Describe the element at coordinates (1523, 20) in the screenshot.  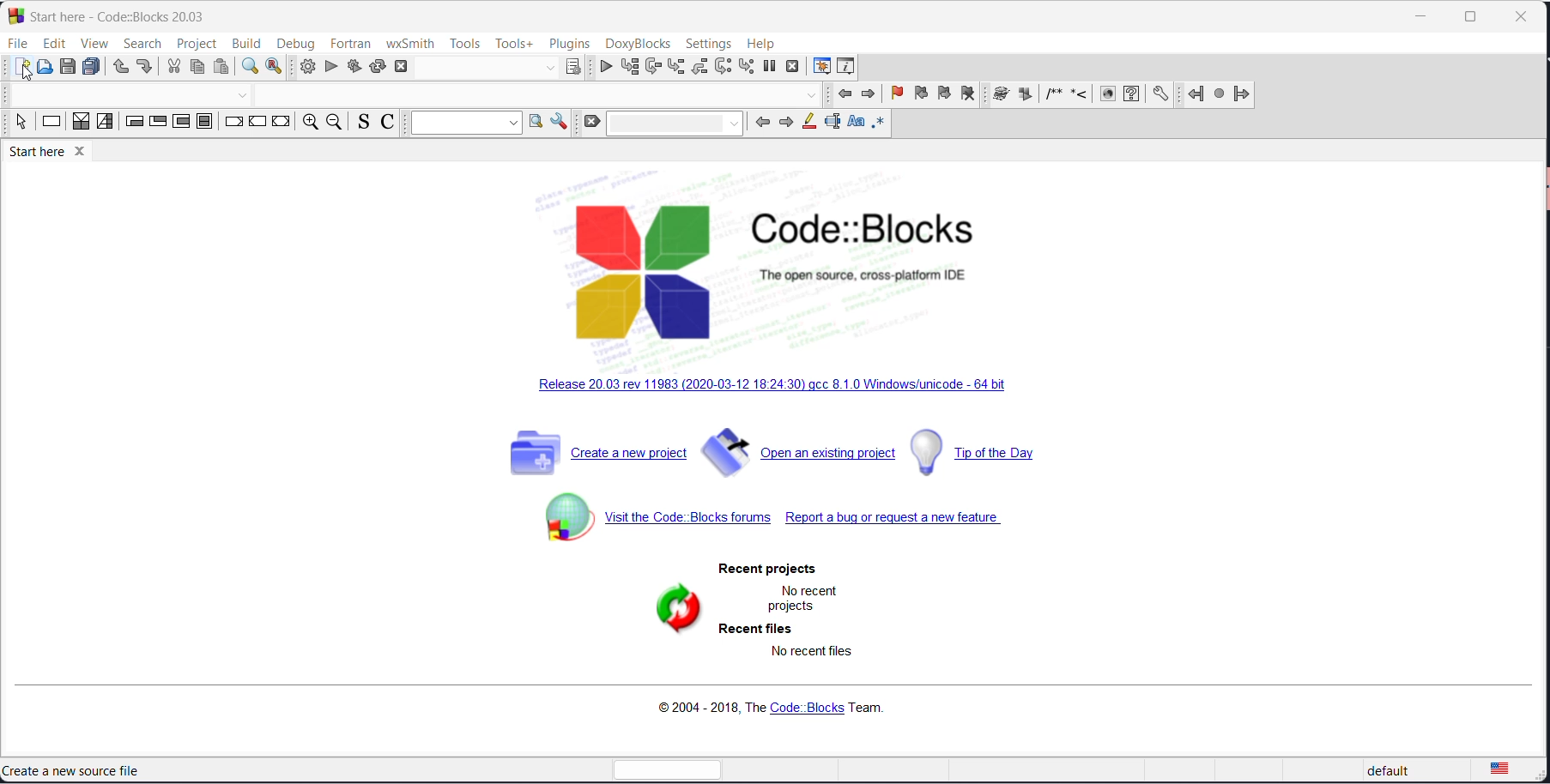
I see `close` at that location.